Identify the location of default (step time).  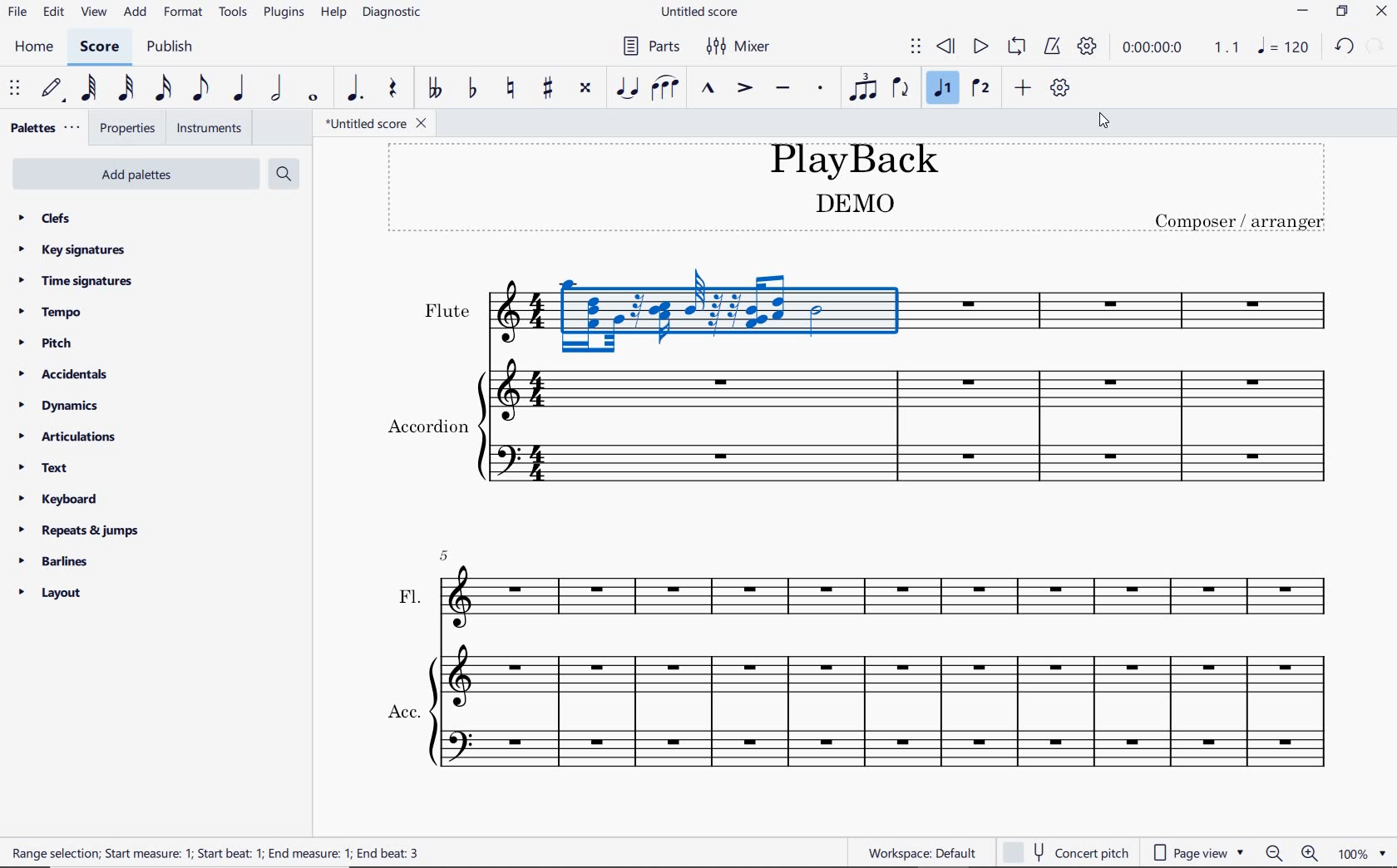
(55, 91).